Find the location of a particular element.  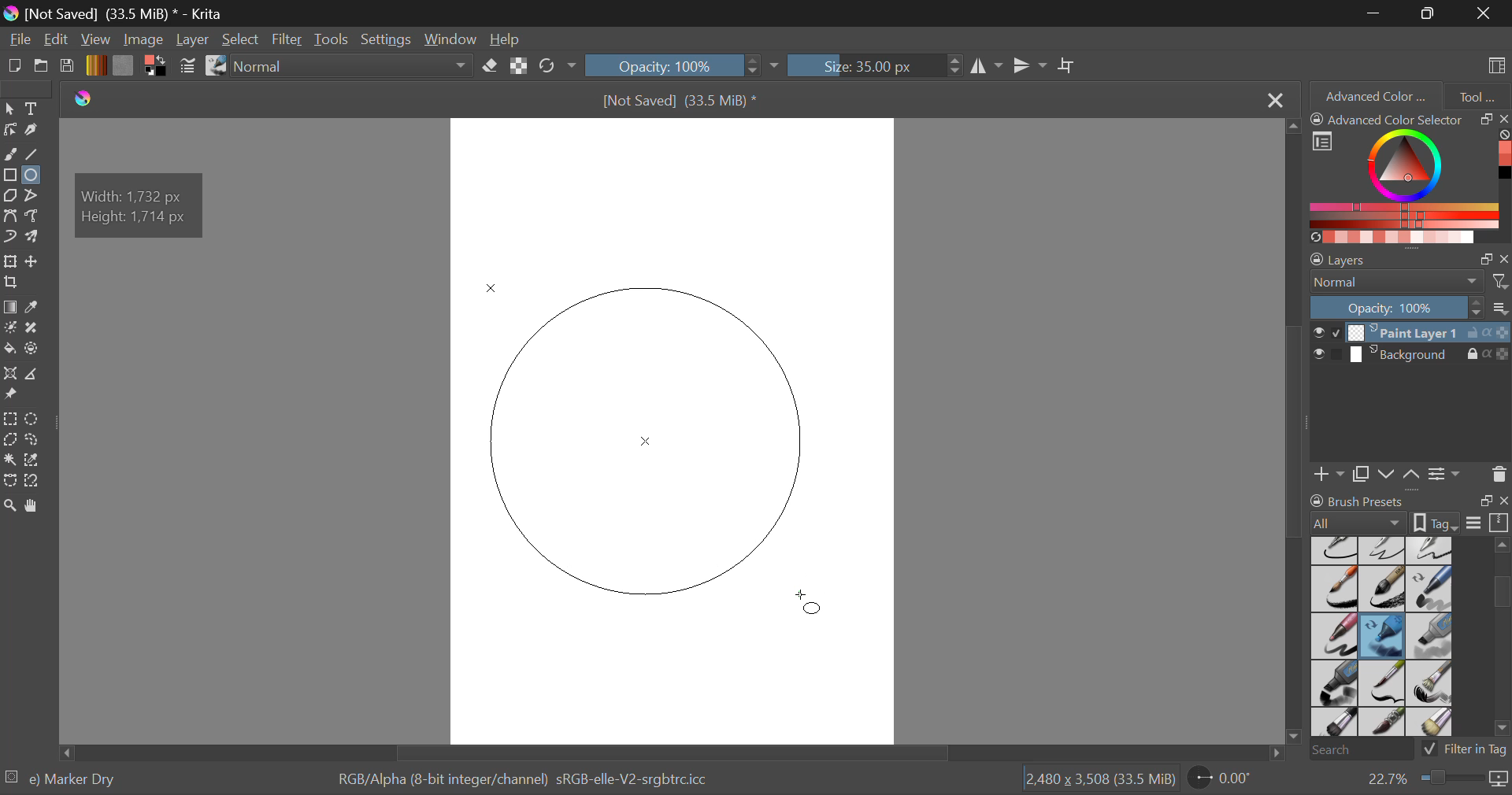

) [Not Saved] (33.5 MiB) * - Krita is located at coordinates (128, 14).